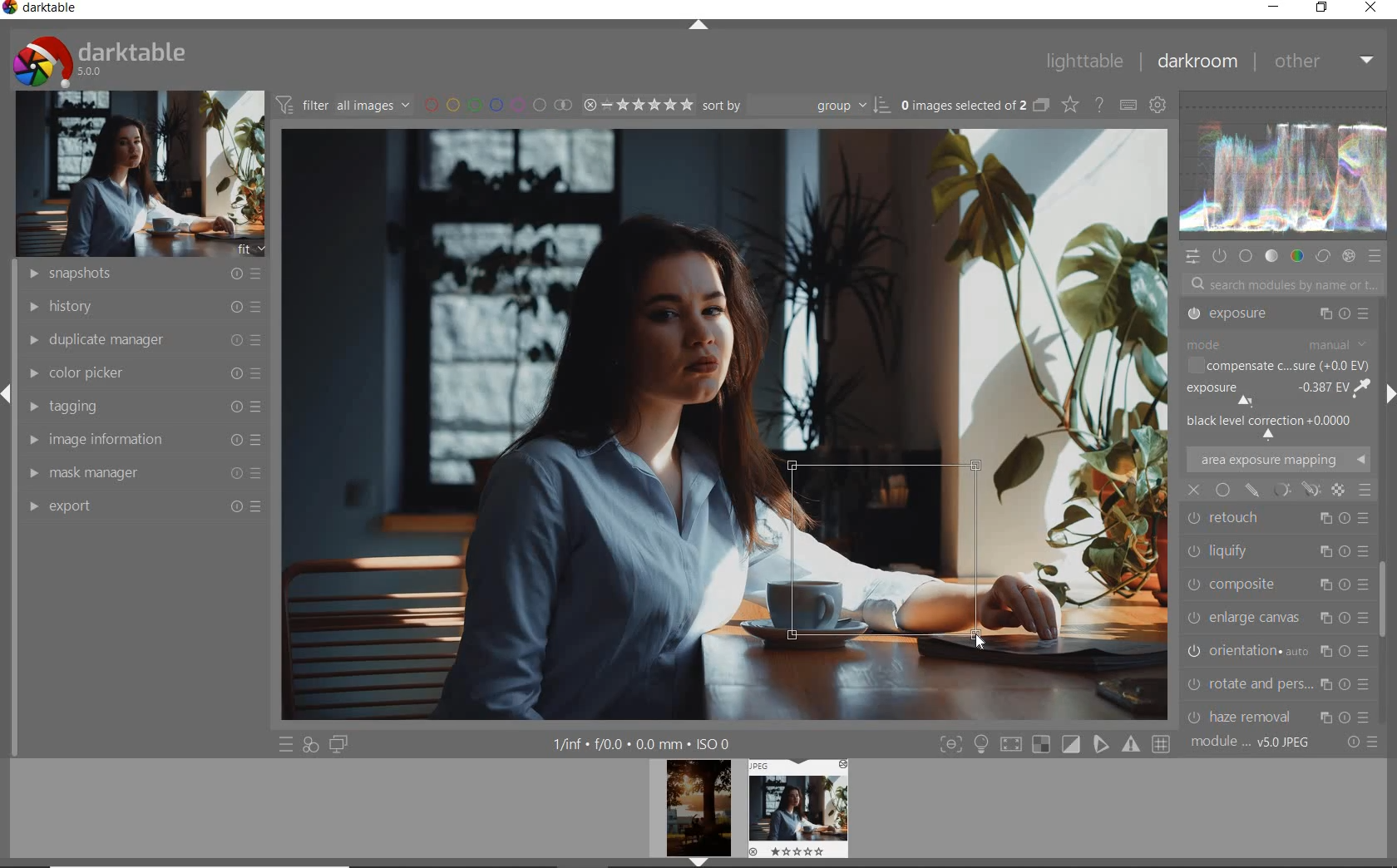 The width and height of the screenshot is (1397, 868). What do you see at coordinates (793, 106) in the screenshot?
I see `SORT` at bounding box center [793, 106].